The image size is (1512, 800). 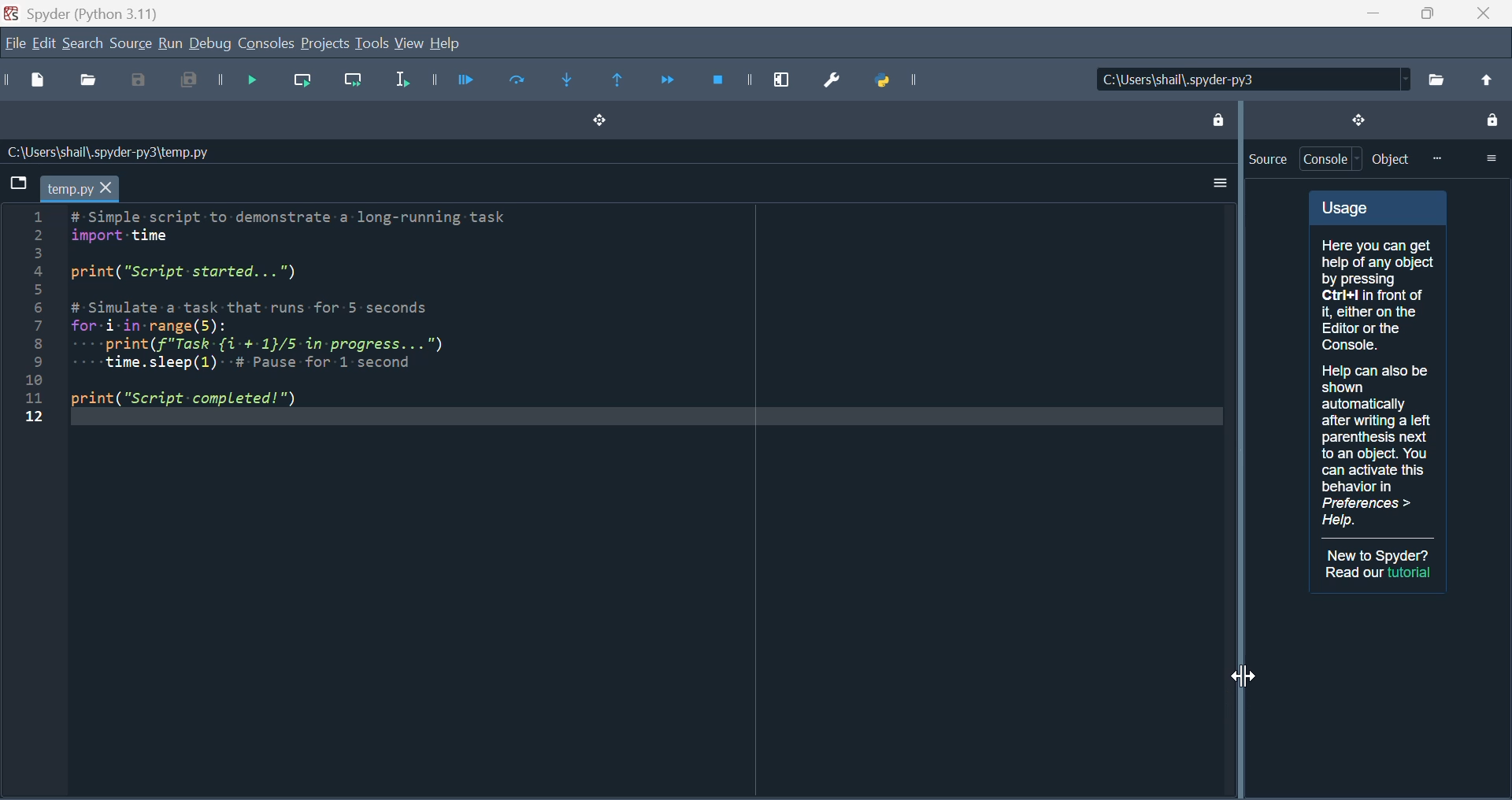 I want to click on Close, so click(x=1482, y=13).